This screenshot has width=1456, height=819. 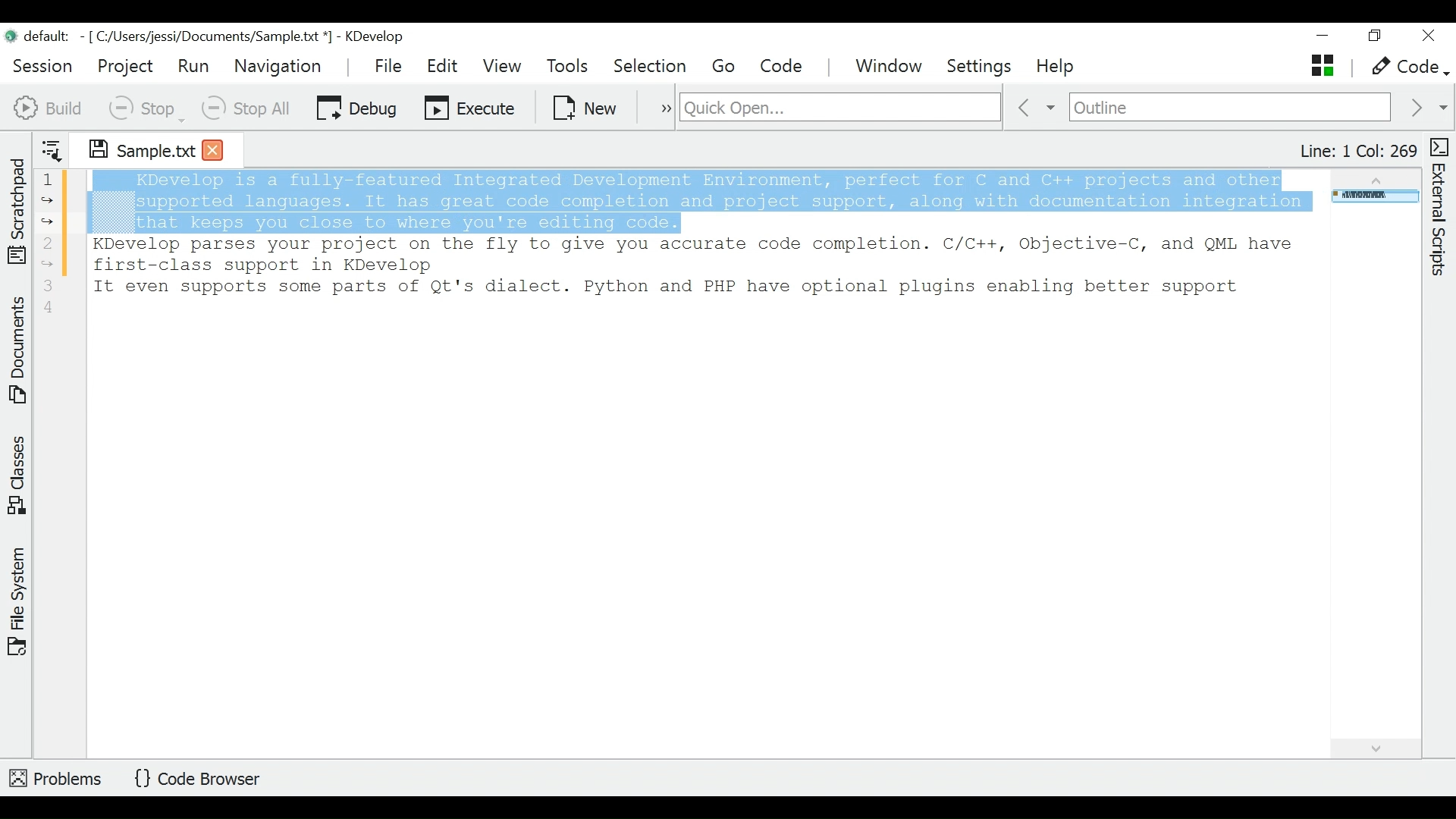 I want to click on File, so click(x=391, y=65).